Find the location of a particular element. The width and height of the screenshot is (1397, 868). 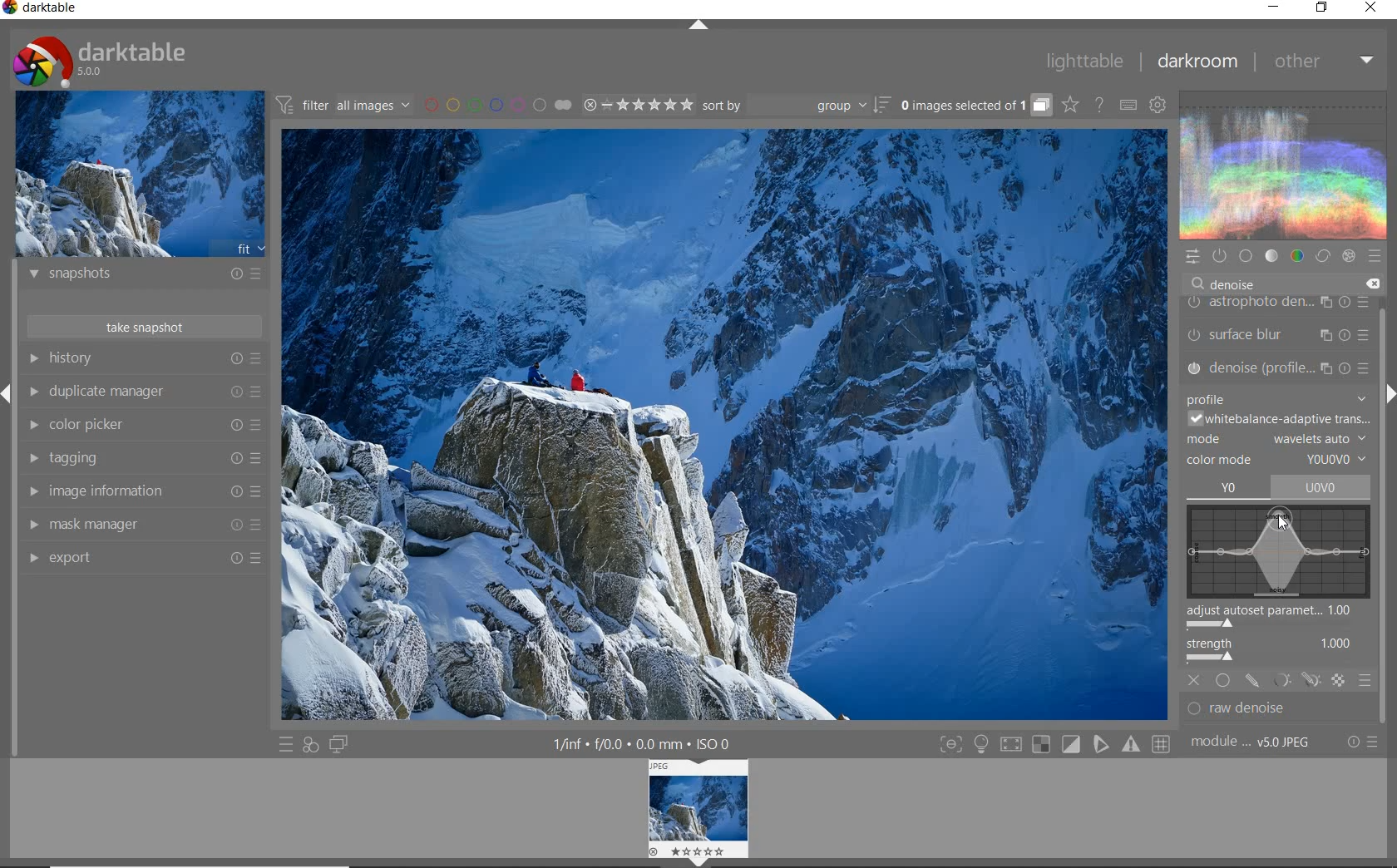

tone is located at coordinates (1271, 255).